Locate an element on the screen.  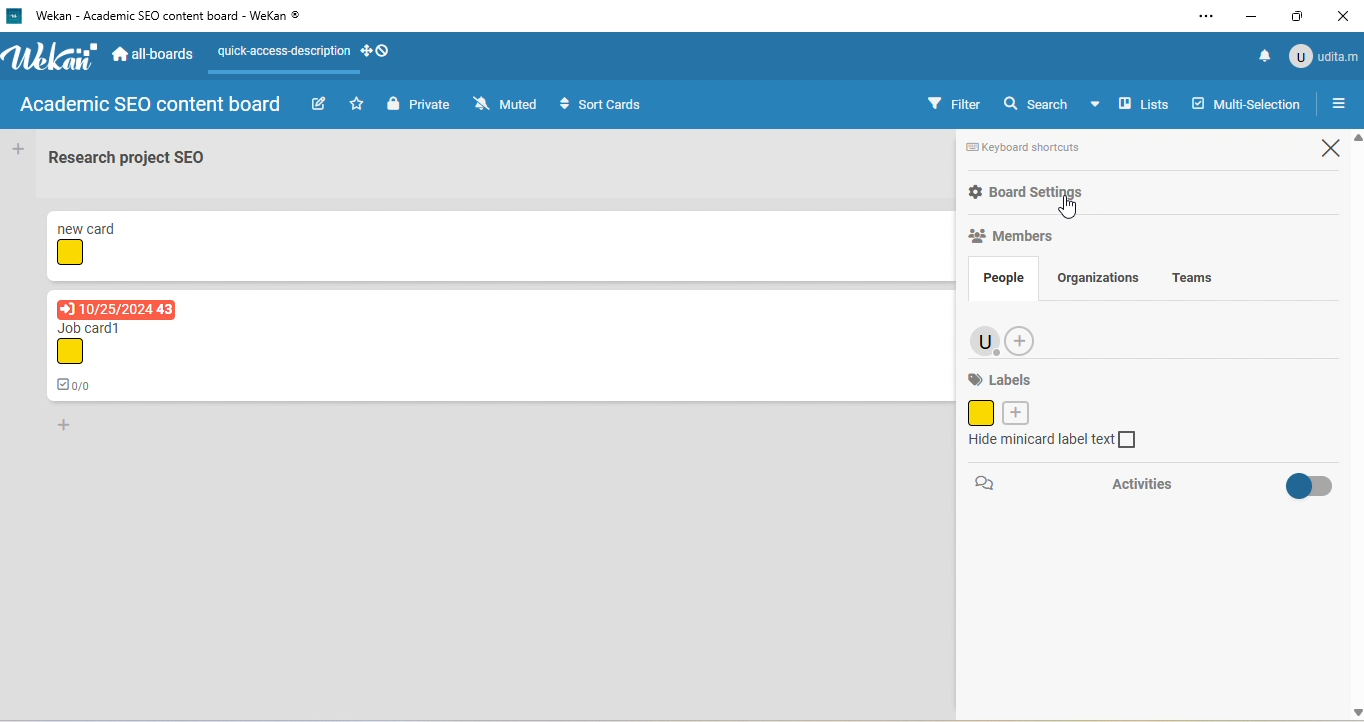
organizations is located at coordinates (1095, 278).